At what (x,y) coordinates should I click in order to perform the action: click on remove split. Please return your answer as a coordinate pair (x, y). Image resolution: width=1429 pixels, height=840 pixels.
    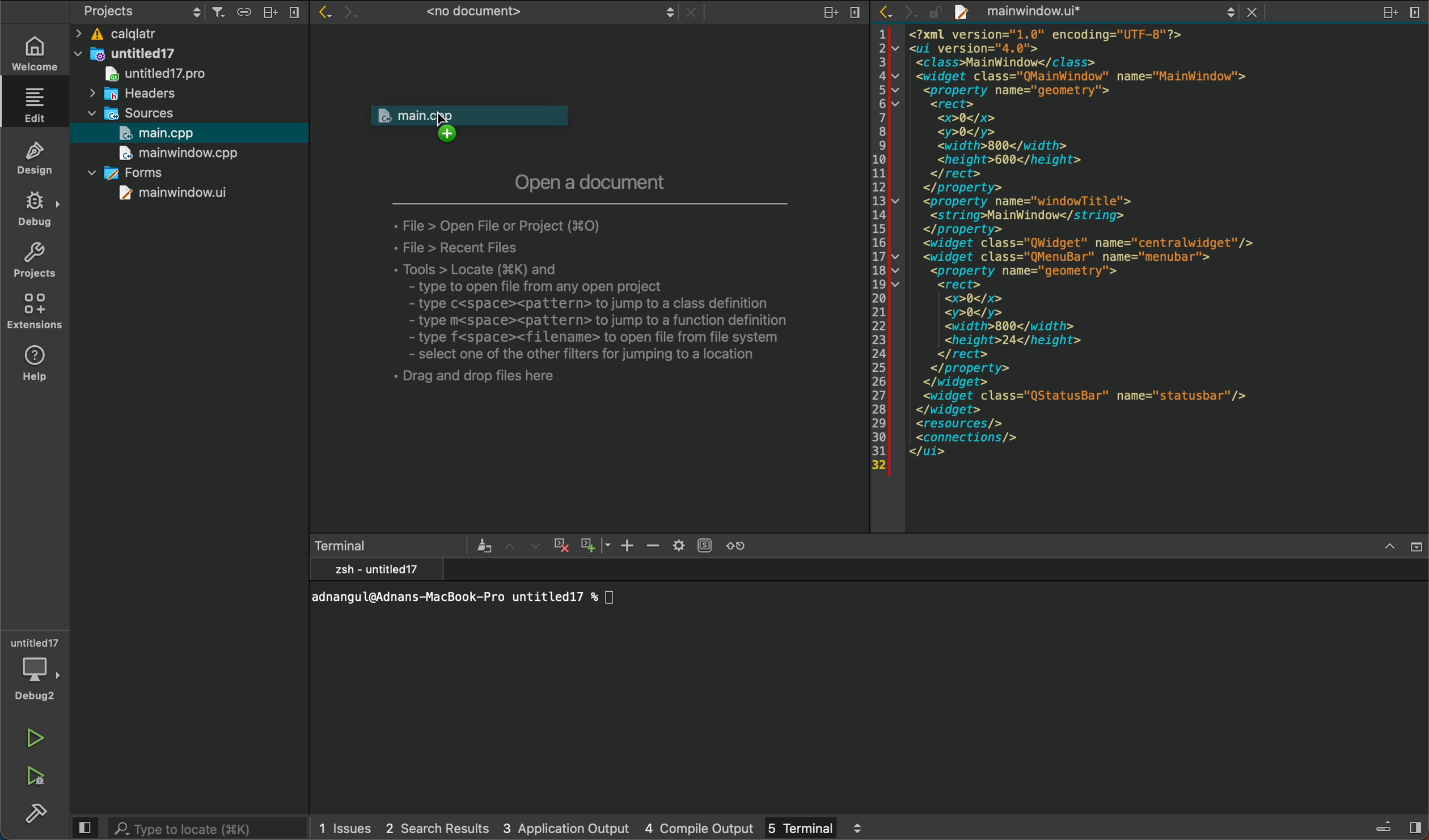
    Looking at the image, I should click on (1414, 12).